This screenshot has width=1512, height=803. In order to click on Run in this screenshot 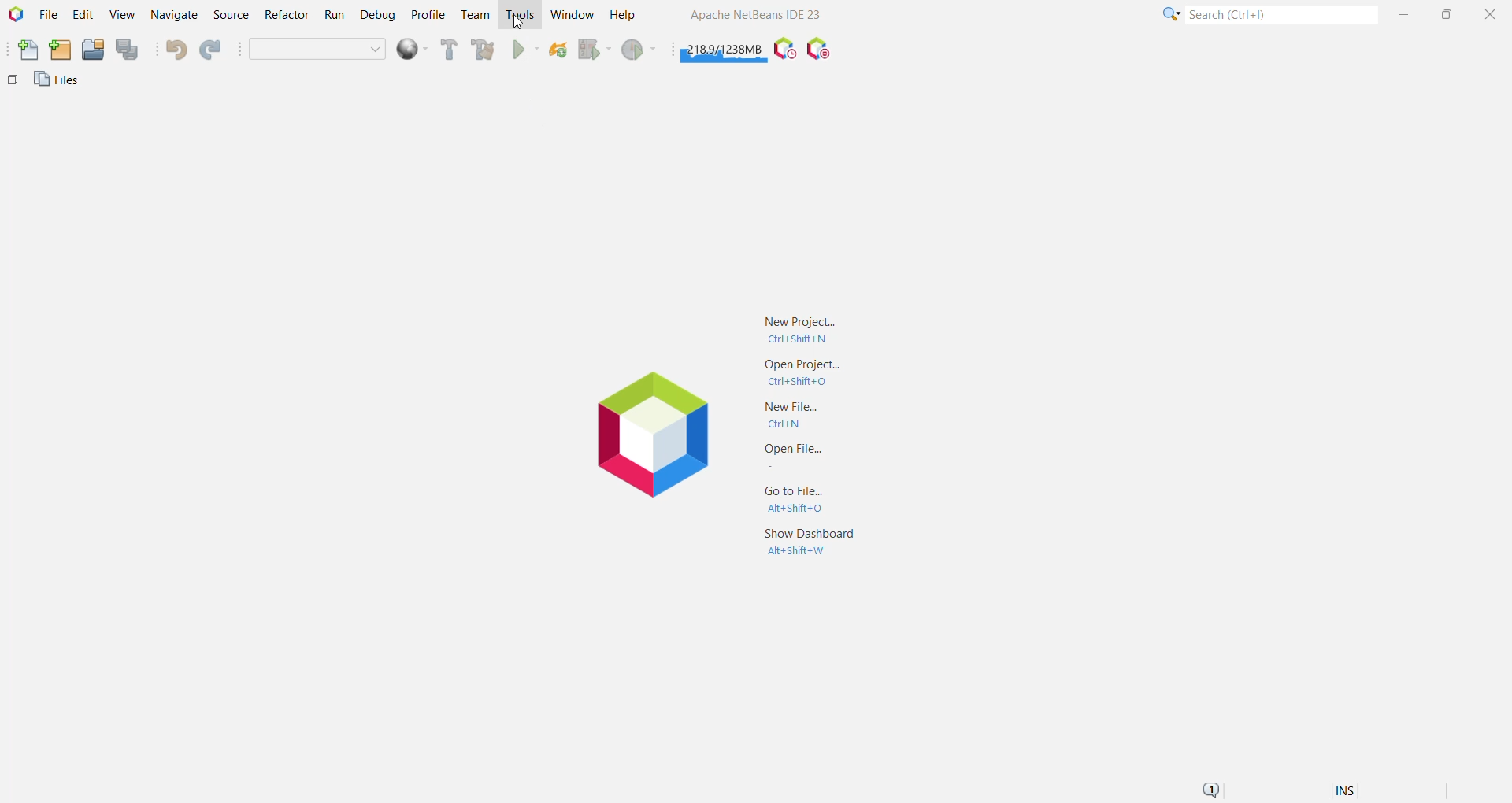, I will do `click(335, 17)`.